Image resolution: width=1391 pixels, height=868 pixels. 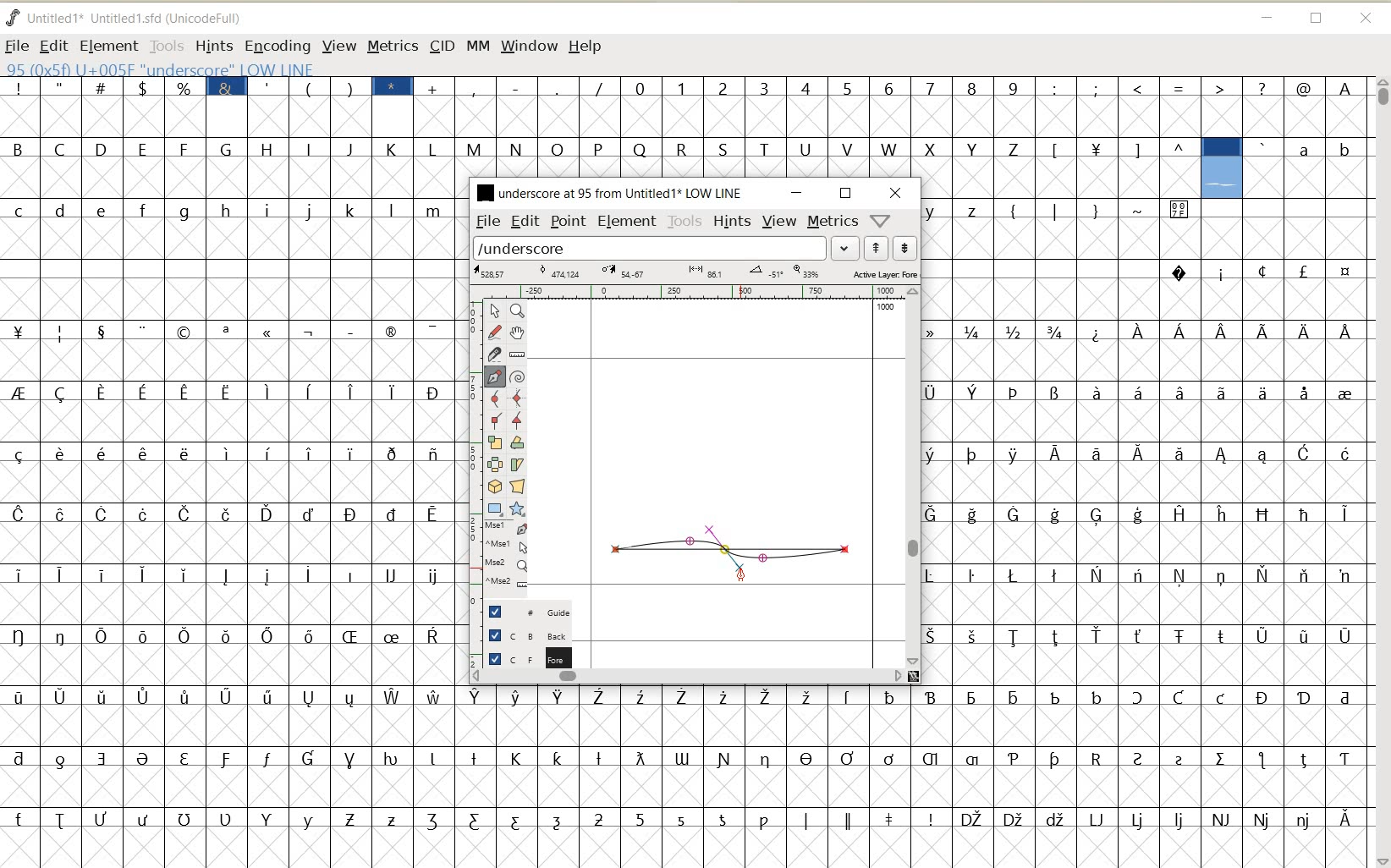 What do you see at coordinates (229, 461) in the screenshot?
I see `GLYPHY CHARACTERS` at bounding box center [229, 461].